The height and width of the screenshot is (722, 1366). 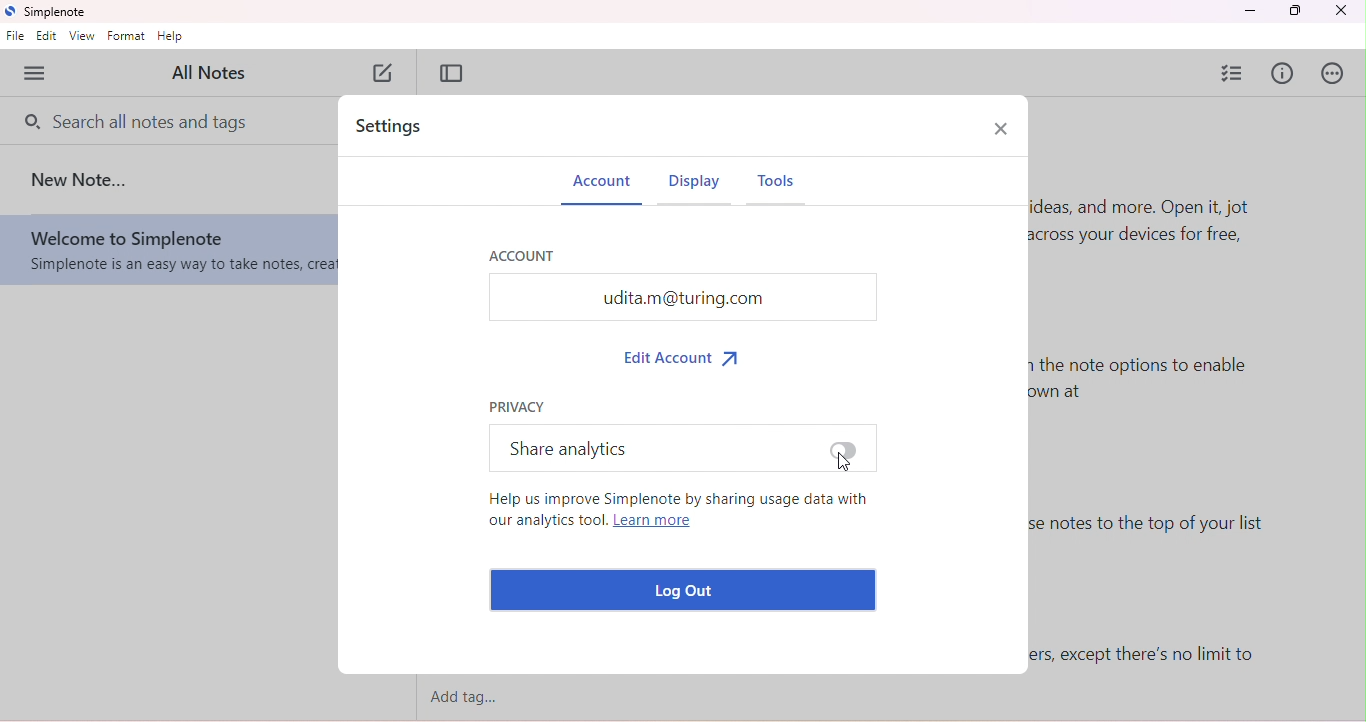 I want to click on account, so click(x=602, y=185).